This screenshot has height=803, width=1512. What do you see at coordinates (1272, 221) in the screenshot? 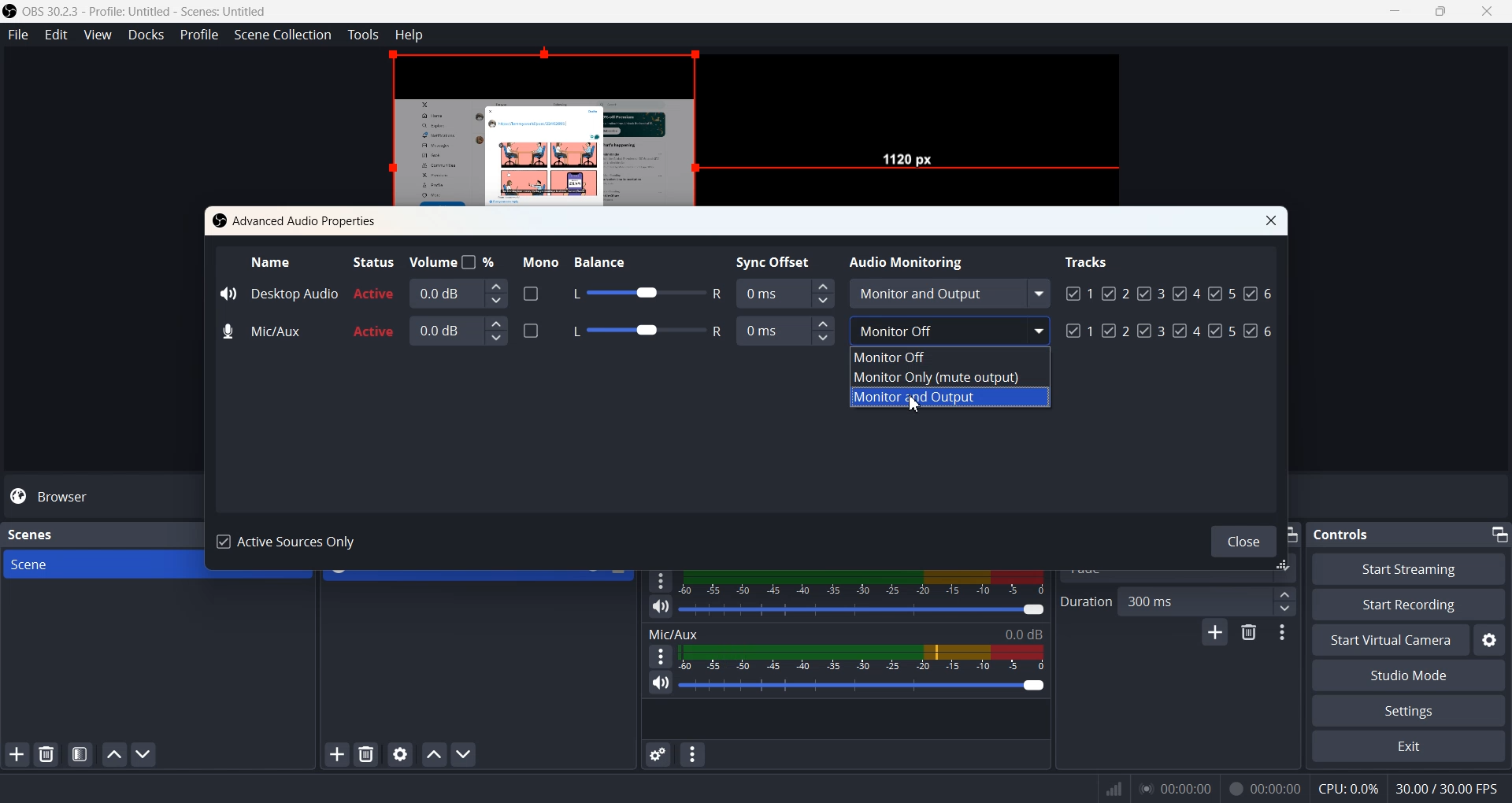
I see `Close` at bounding box center [1272, 221].